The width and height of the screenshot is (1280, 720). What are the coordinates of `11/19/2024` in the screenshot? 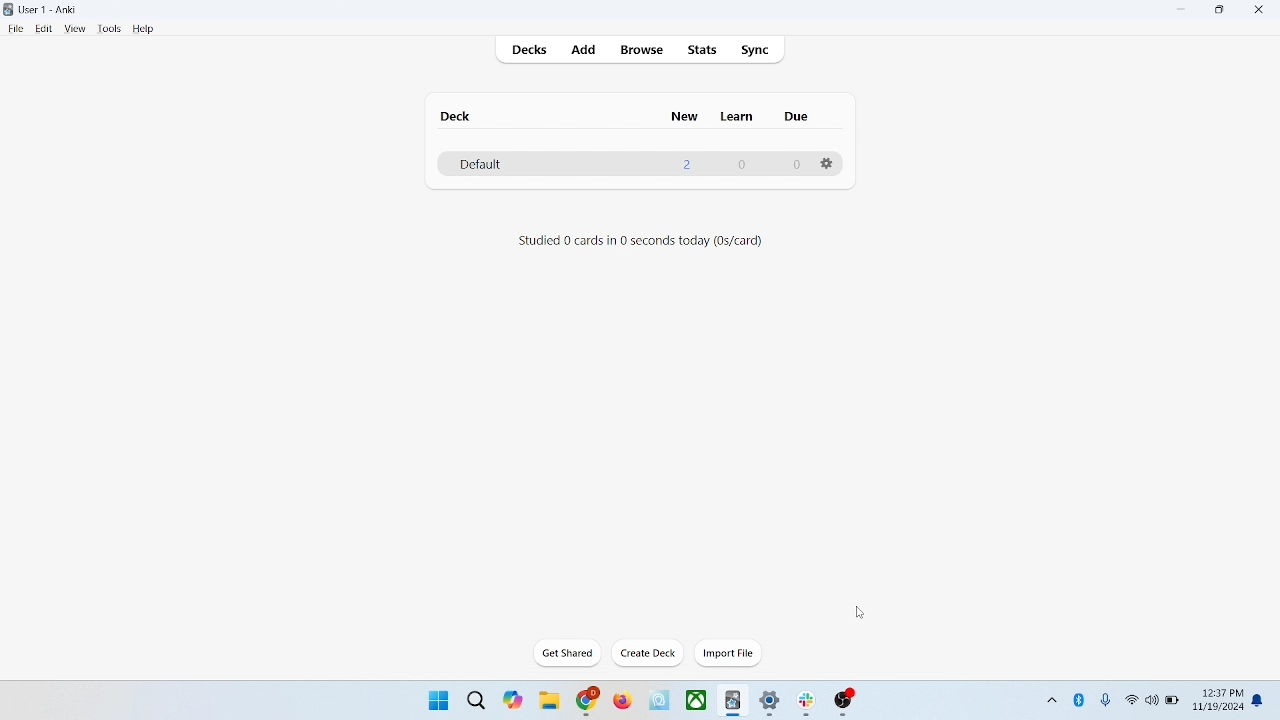 It's located at (1217, 708).